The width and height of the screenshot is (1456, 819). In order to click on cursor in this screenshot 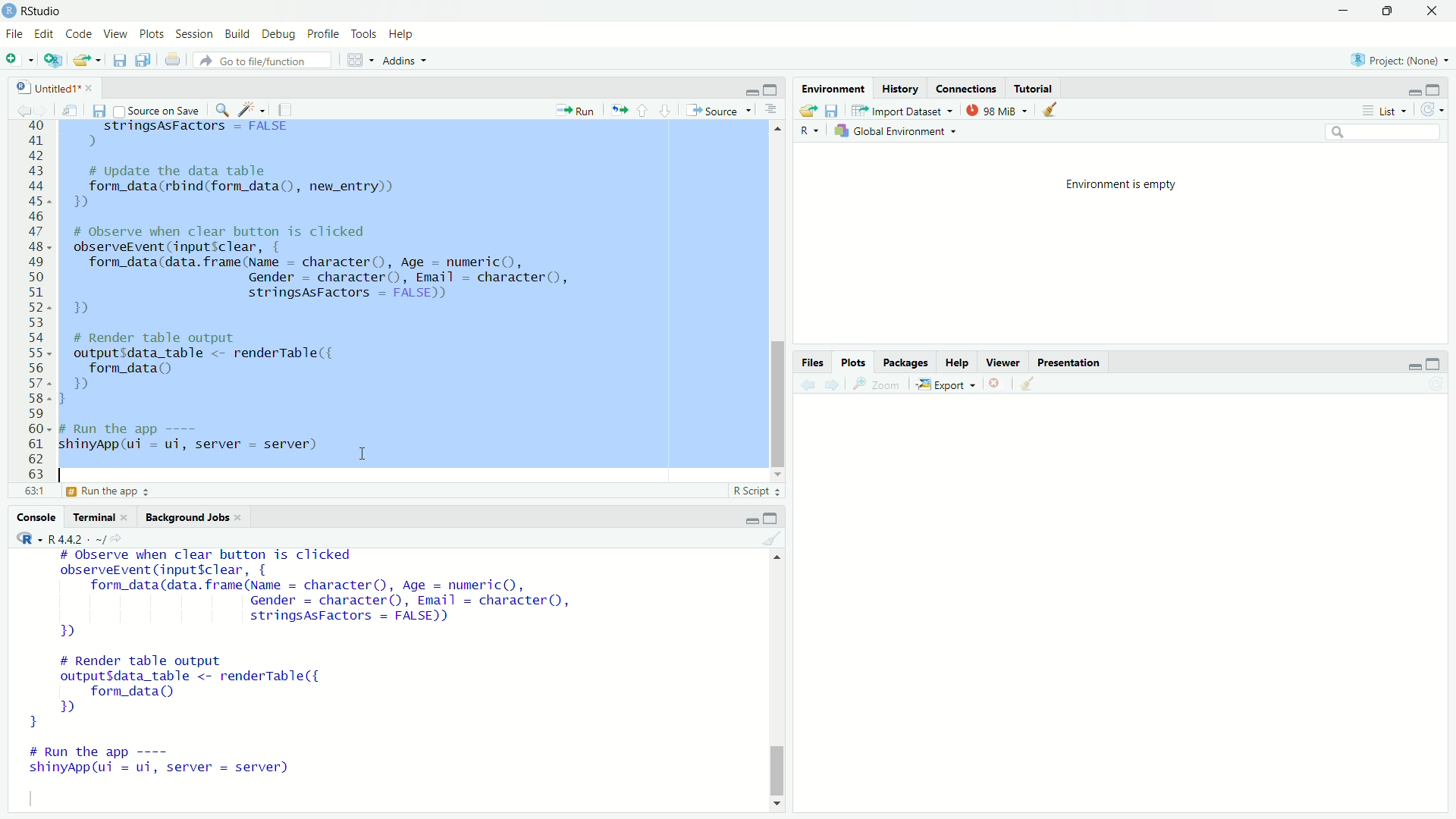, I will do `click(362, 456)`.